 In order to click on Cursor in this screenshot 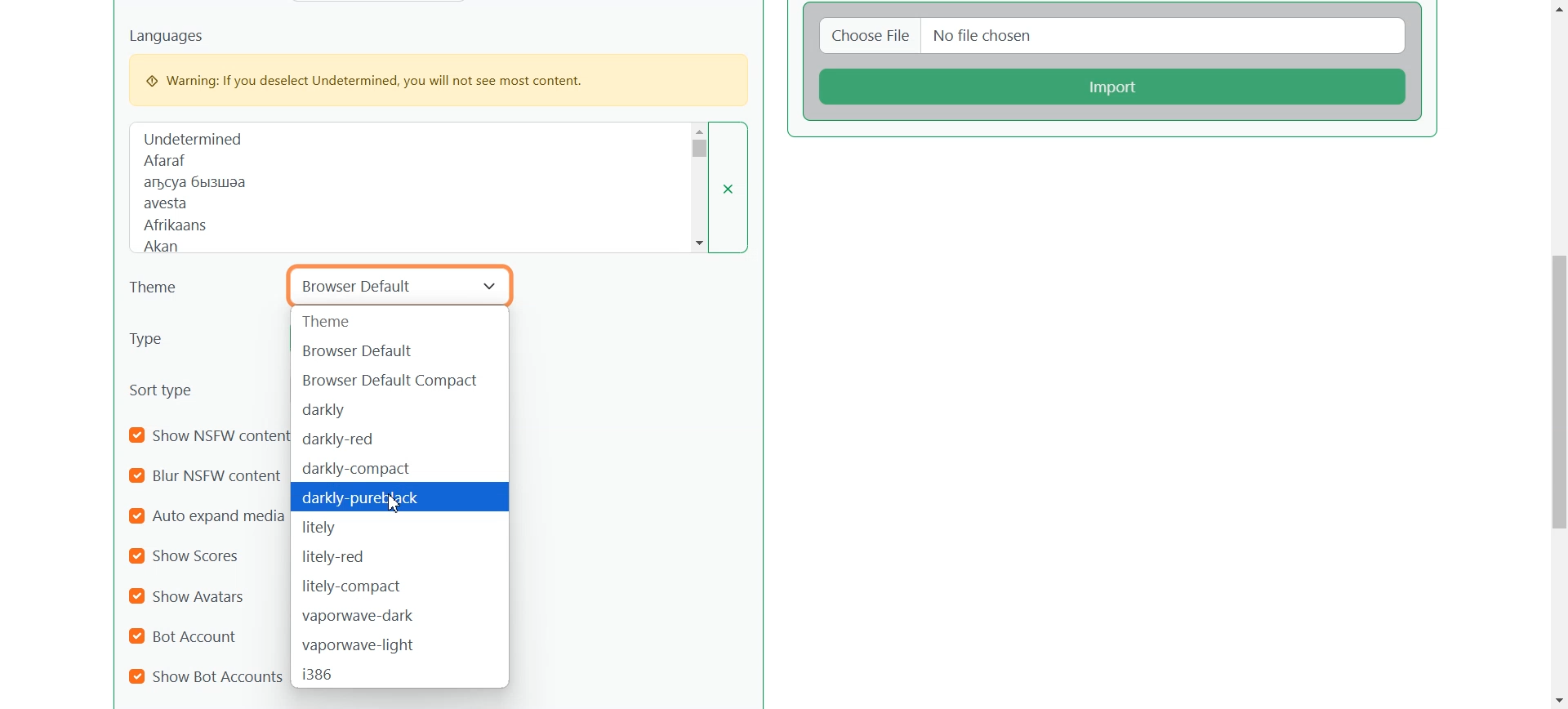, I will do `click(396, 503)`.